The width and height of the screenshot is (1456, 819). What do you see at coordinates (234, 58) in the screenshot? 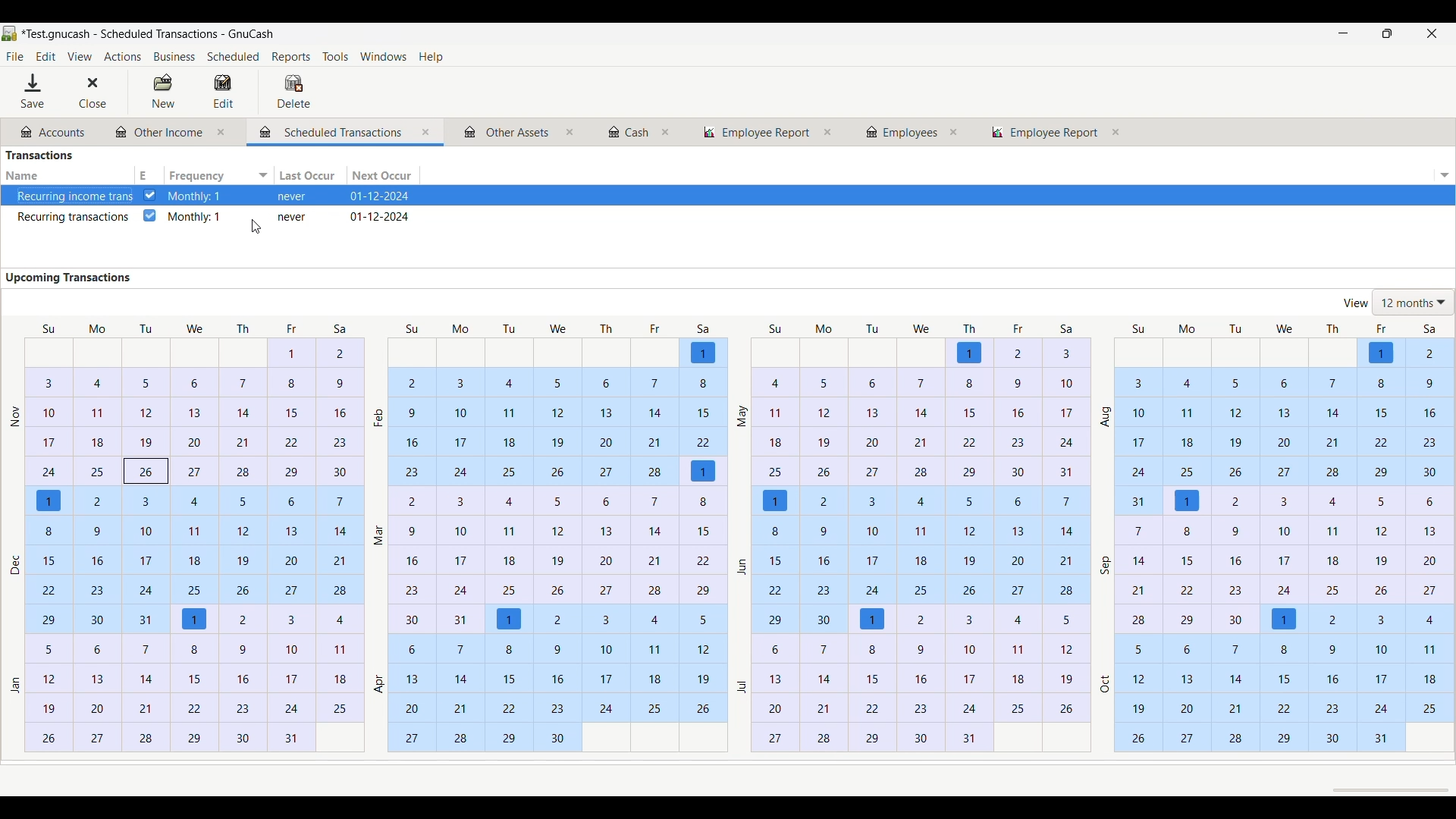
I see `Scheduled menu added` at bounding box center [234, 58].